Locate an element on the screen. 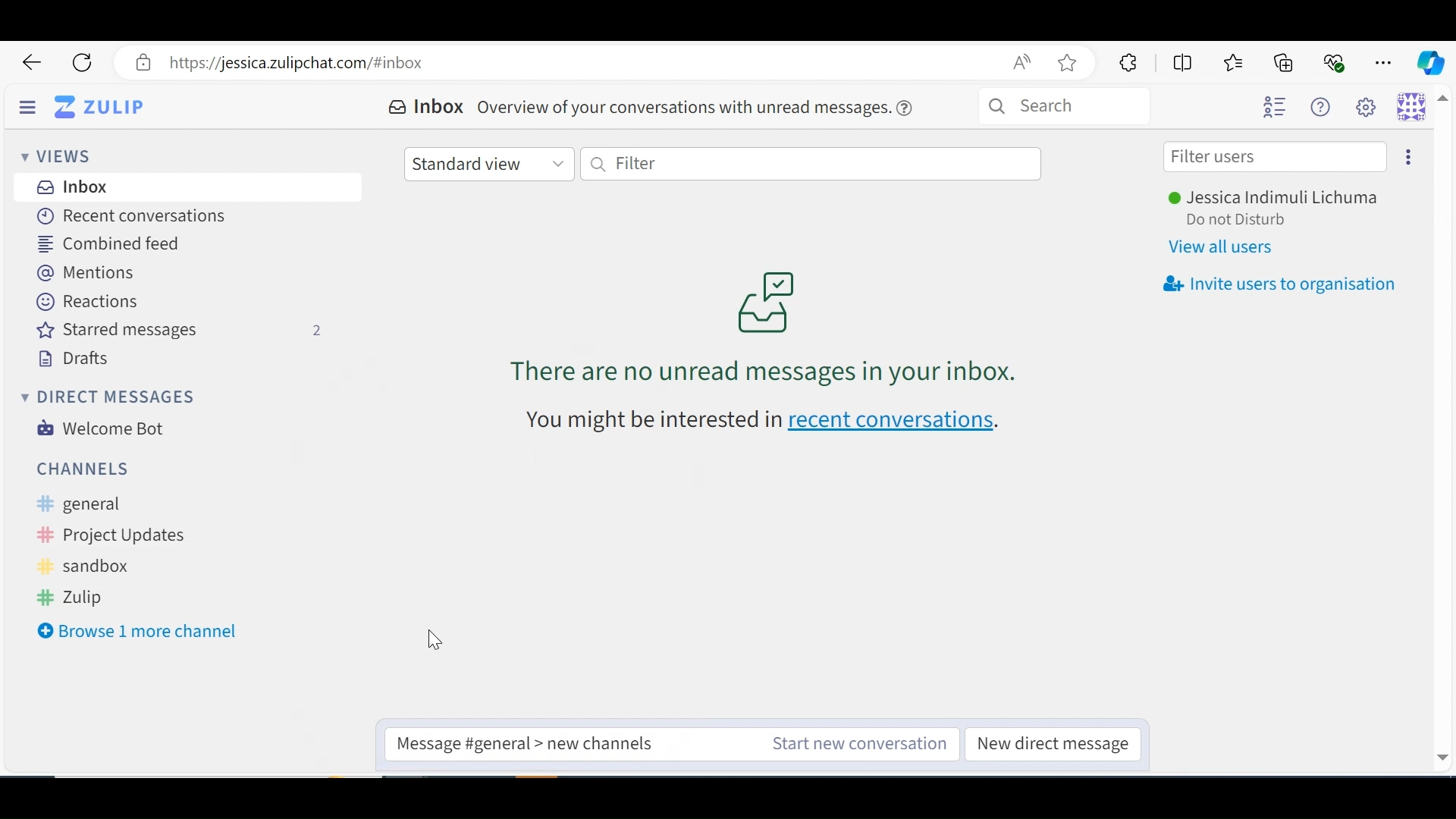  View all users is located at coordinates (1225, 247).